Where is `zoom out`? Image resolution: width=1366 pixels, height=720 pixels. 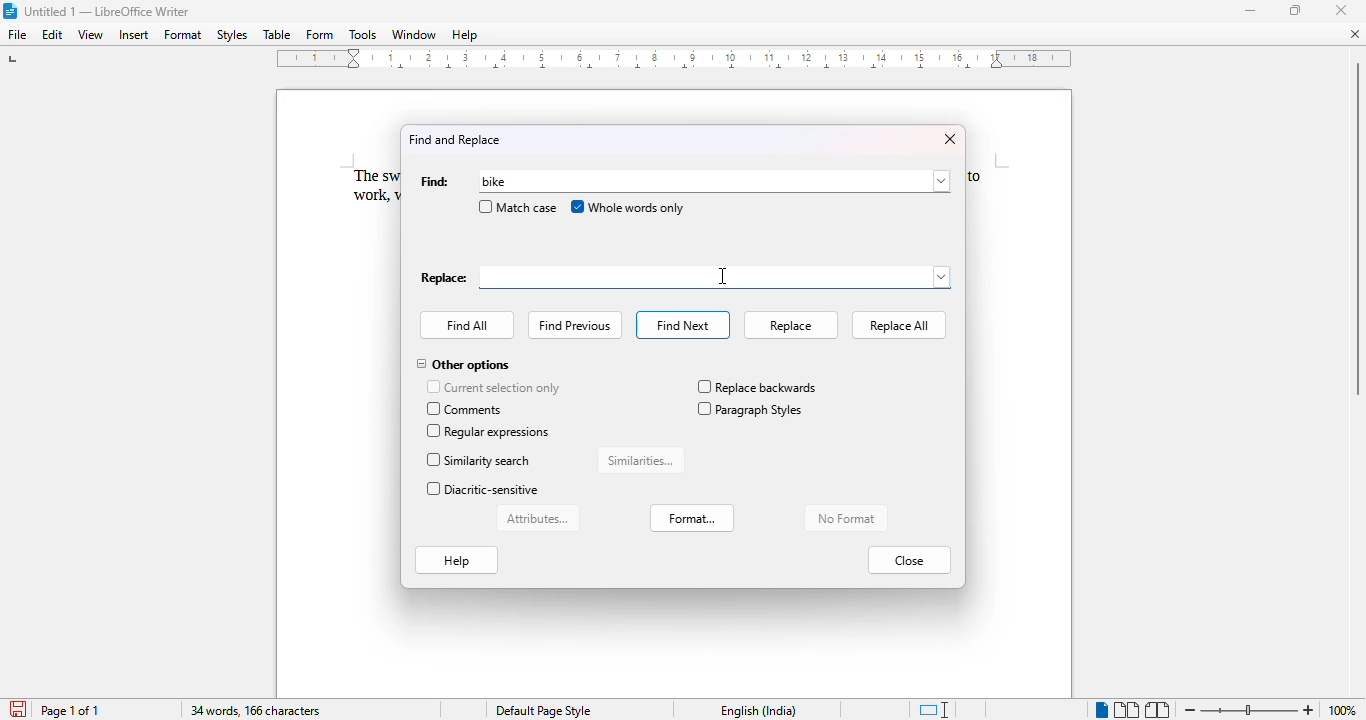 zoom out is located at coordinates (1188, 708).